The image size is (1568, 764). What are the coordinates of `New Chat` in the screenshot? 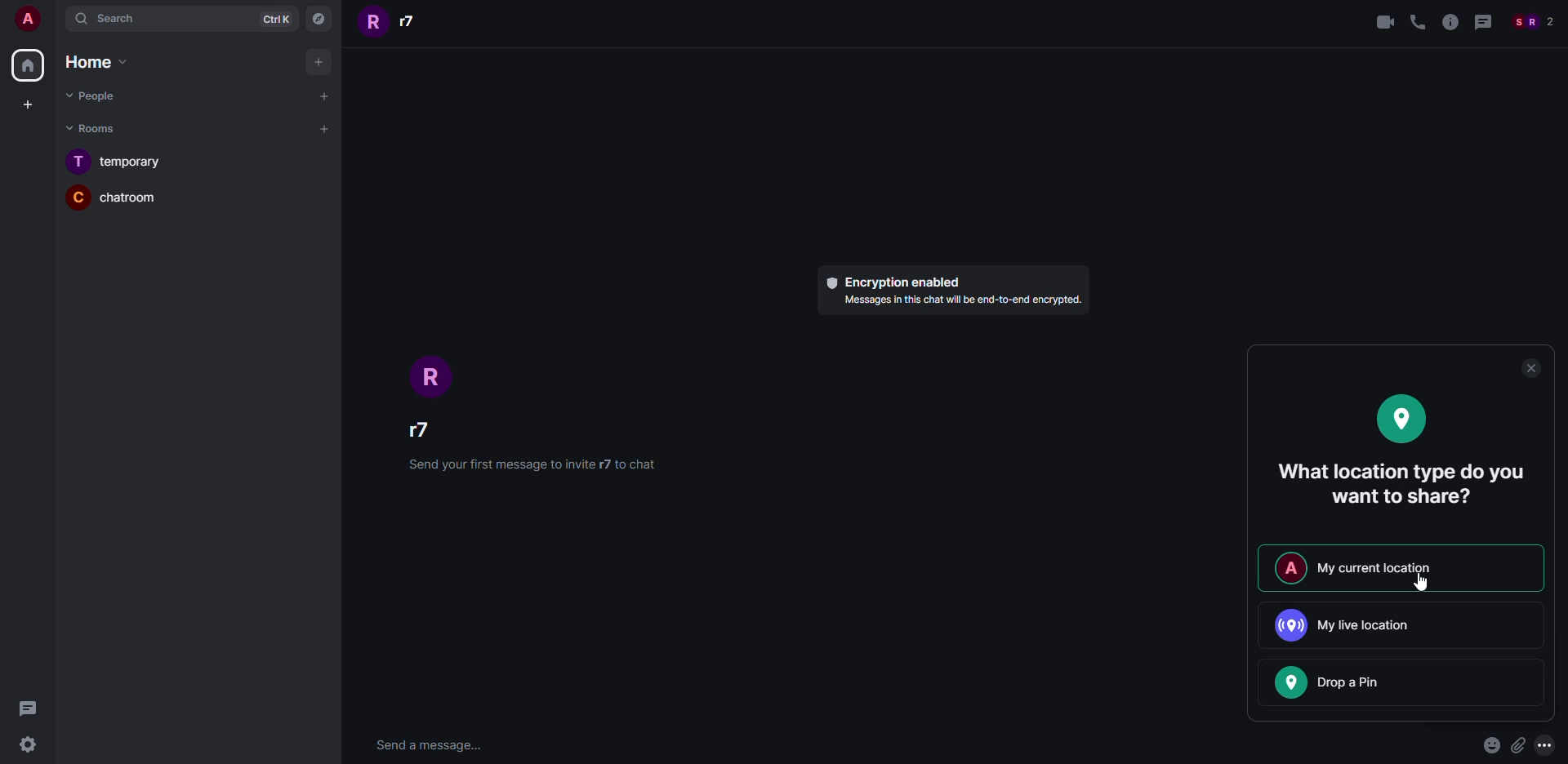 It's located at (325, 96).